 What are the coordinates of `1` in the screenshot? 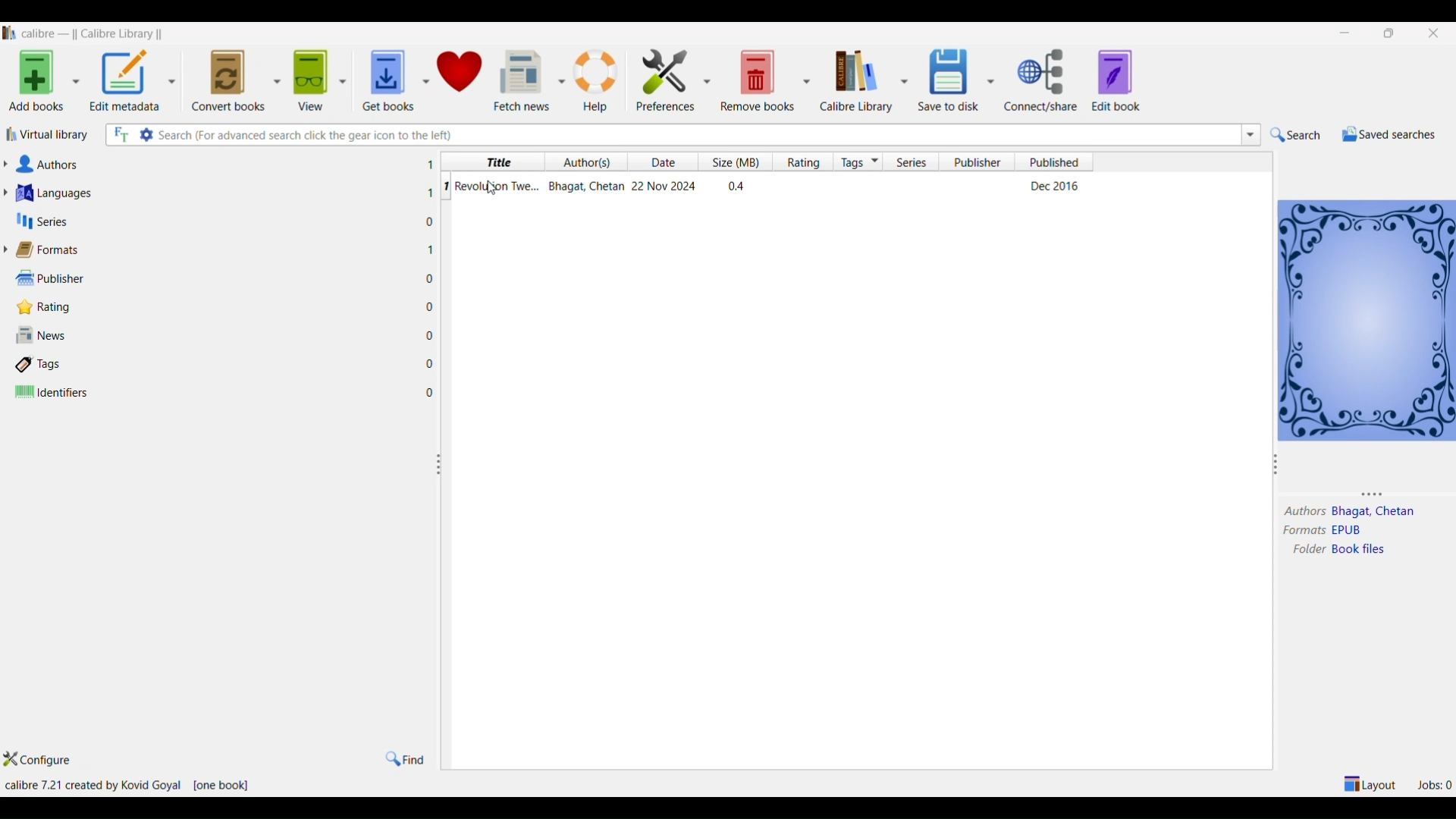 It's located at (431, 249).